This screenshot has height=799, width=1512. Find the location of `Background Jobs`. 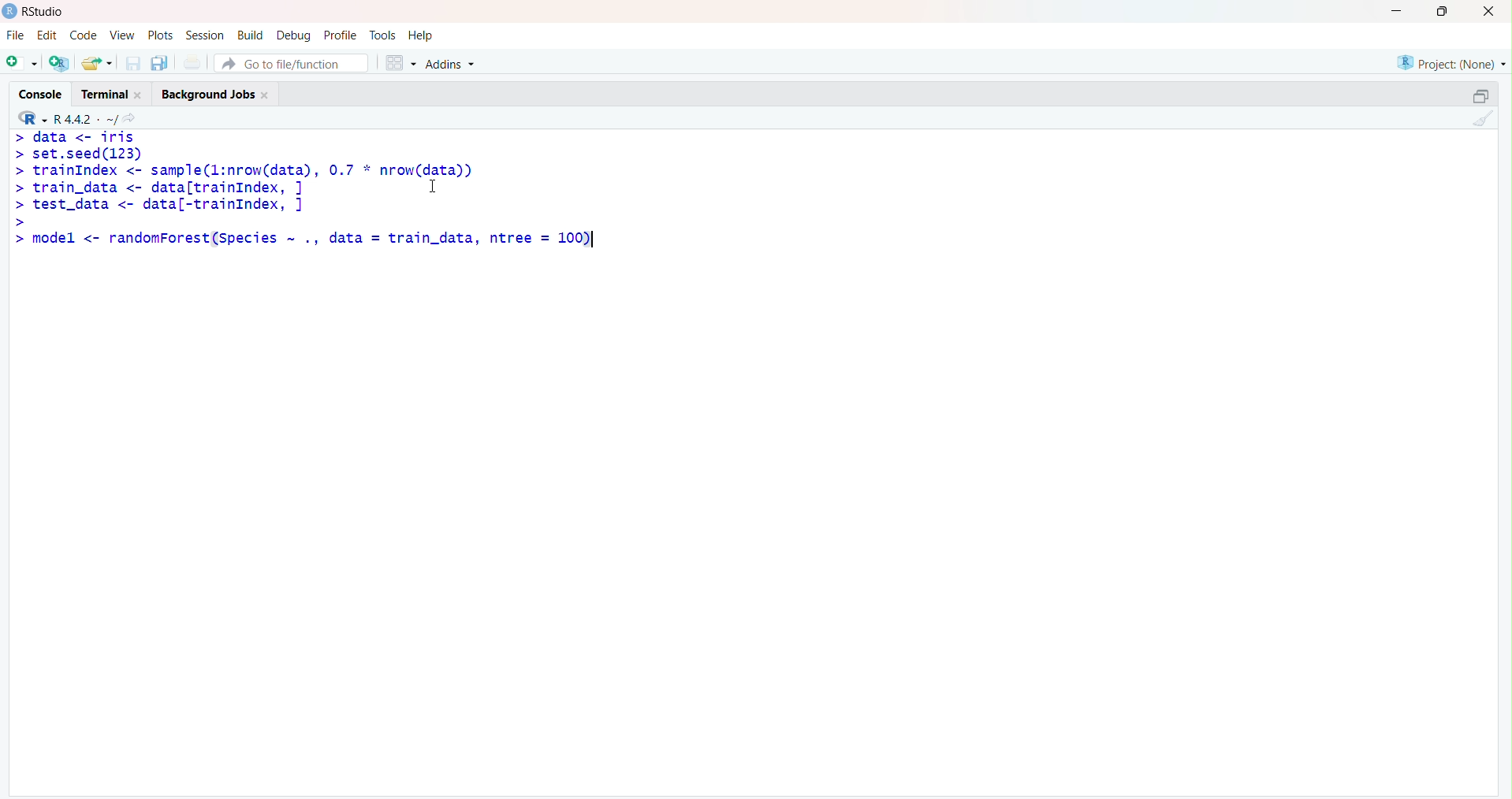

Background Jobs is located at coordinates (215, 93).